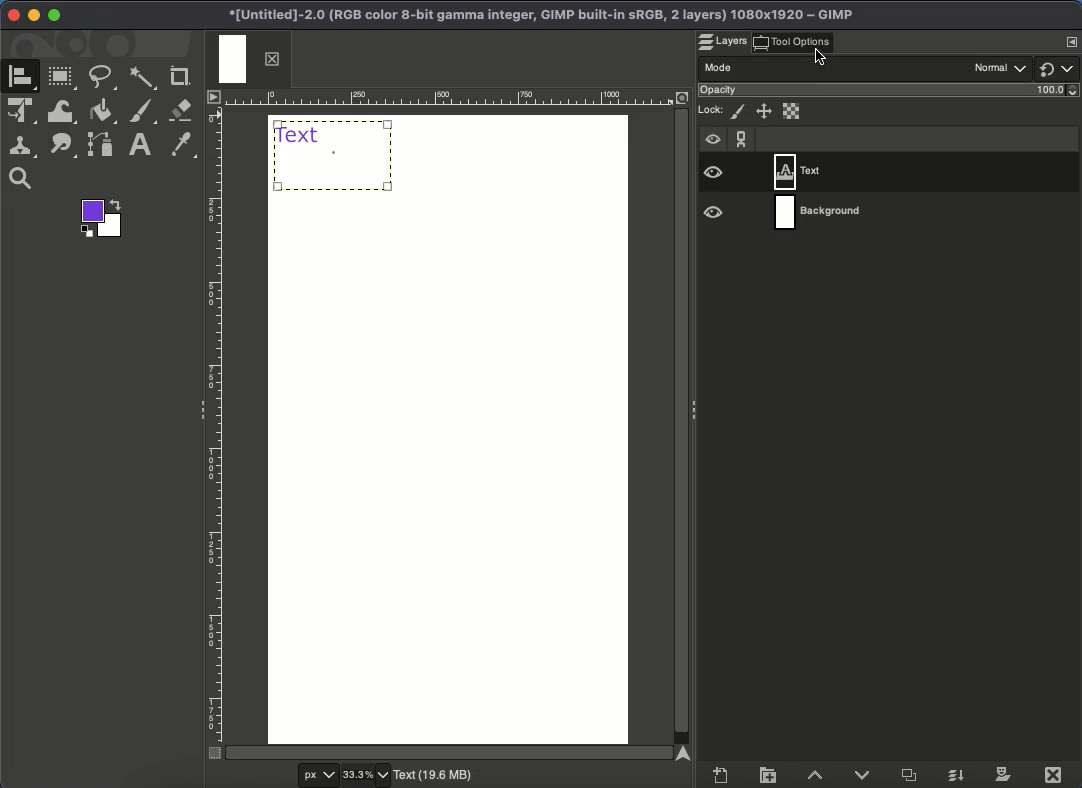 The image size is (1082, 788). Describe the element at coordinates (24, 113) in the screenshot. I see `Unified transformation` at that location.